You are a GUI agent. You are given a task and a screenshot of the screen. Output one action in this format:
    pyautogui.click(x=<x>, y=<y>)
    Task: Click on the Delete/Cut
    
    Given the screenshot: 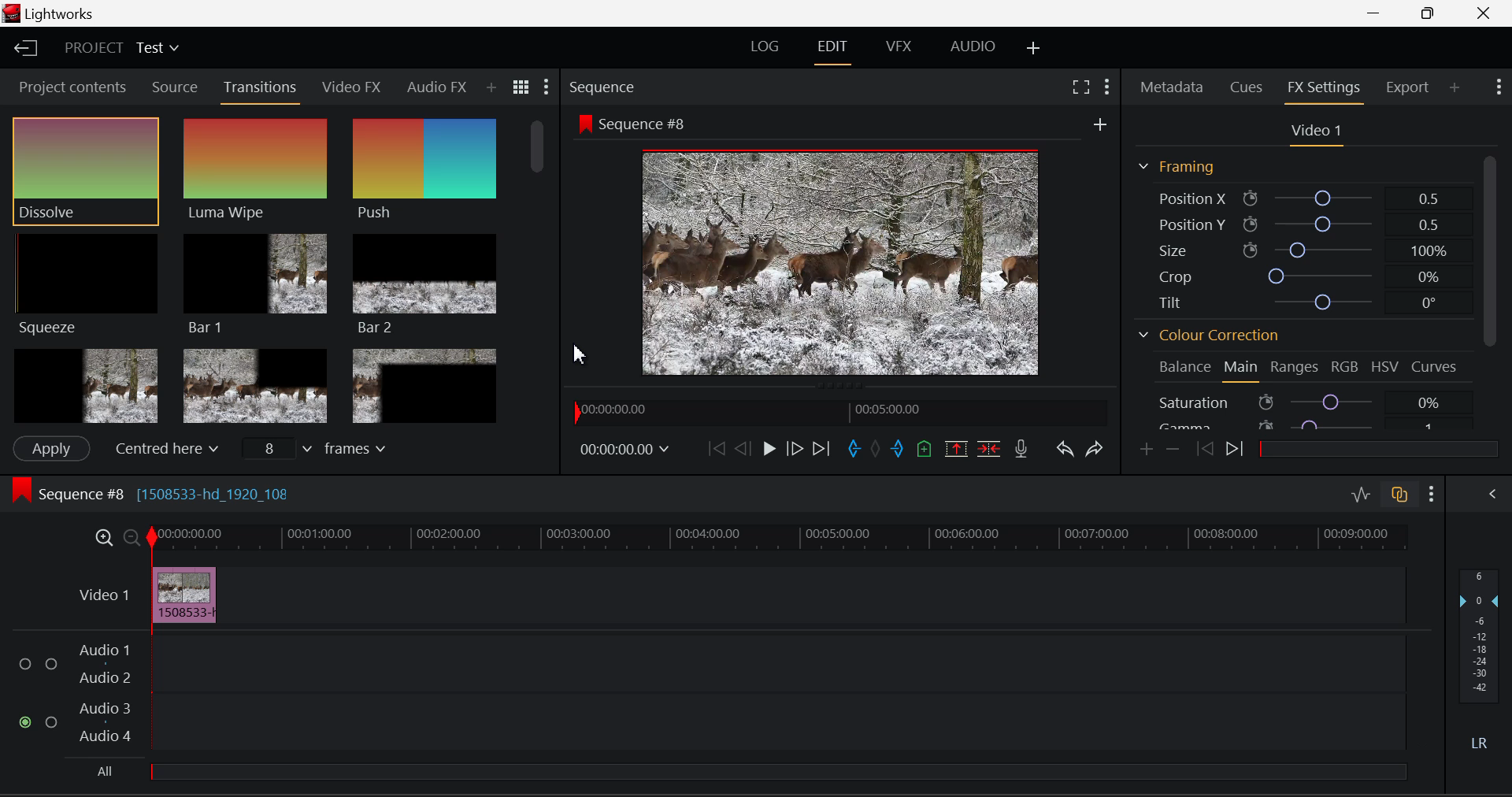 What is the action you would take?
    pyautogui.click(x=991, y=450)
    